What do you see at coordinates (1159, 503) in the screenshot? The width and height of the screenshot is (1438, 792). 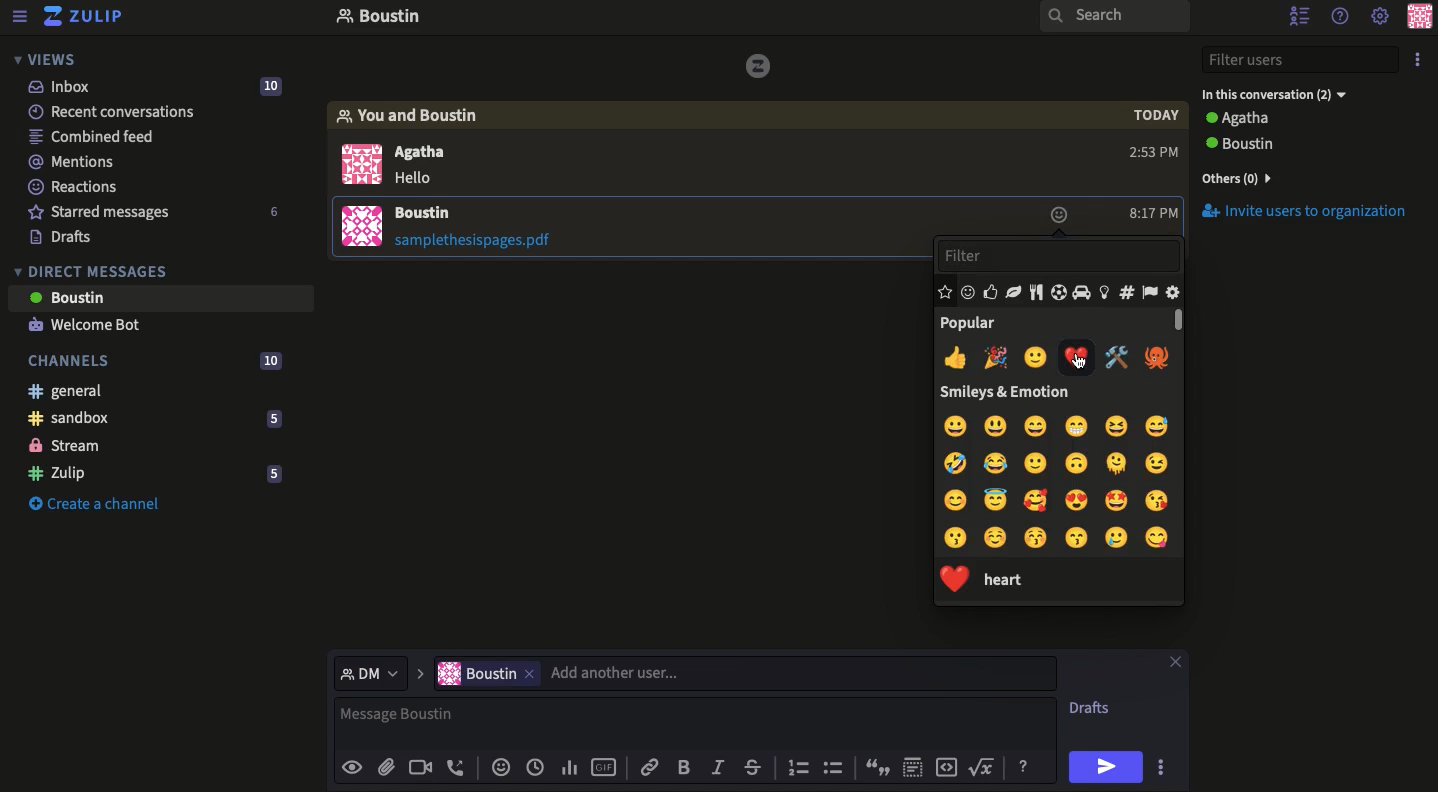 I see `heart kiss` at bounding box center [1159, 503].